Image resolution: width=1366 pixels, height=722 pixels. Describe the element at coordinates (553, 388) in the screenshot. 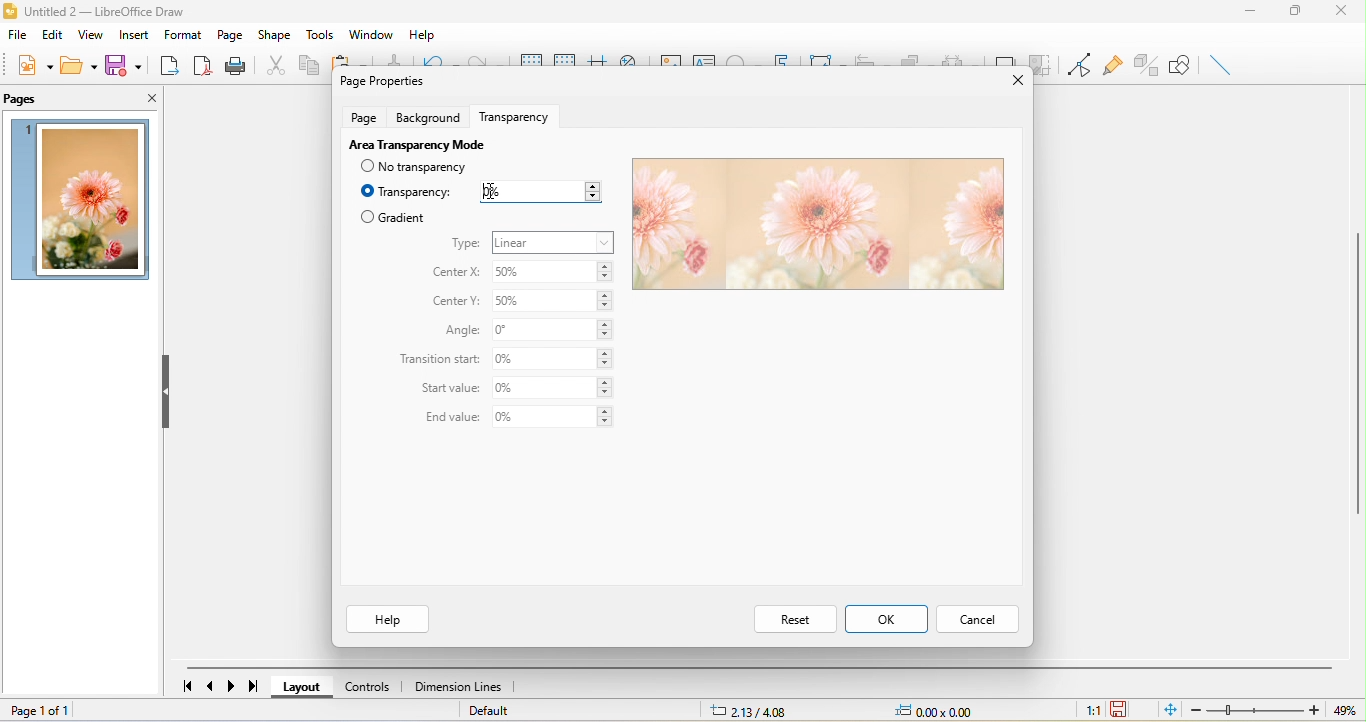

I see `0%` at that location.